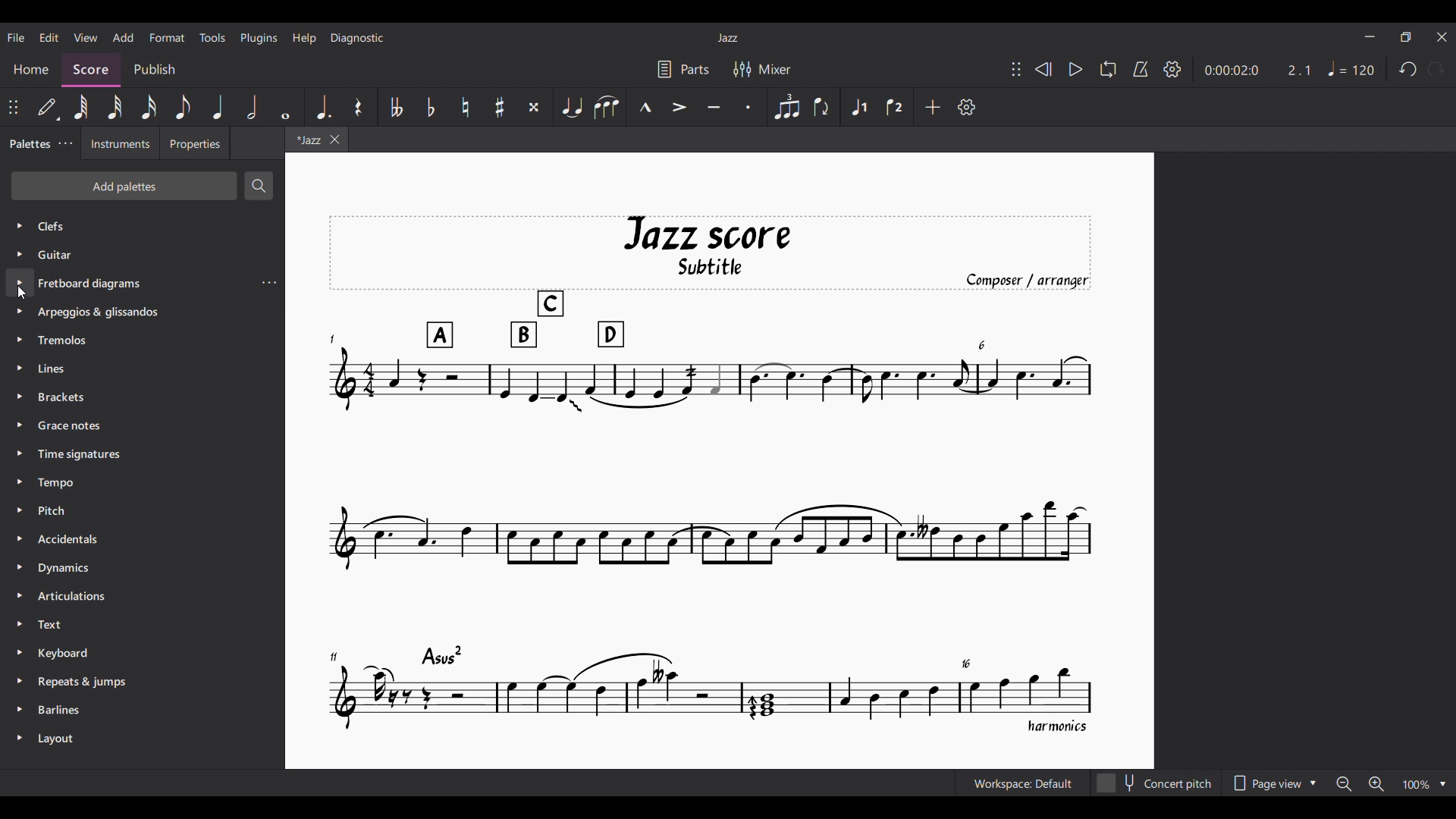  I want to click on Plugins menu, so click(259, 39).